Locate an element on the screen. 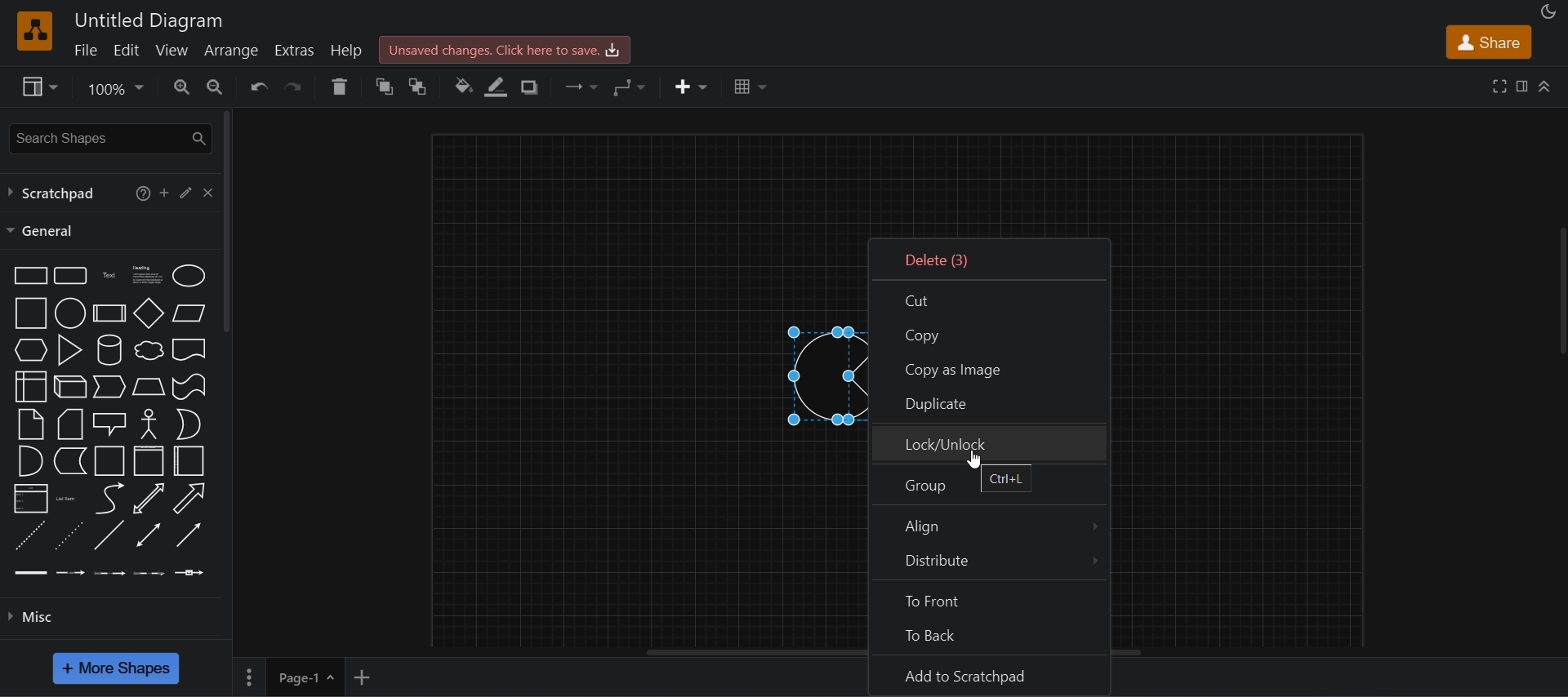 The width and height of the screenshot is (1568, 697). page options is located at coordinates (248, 677).